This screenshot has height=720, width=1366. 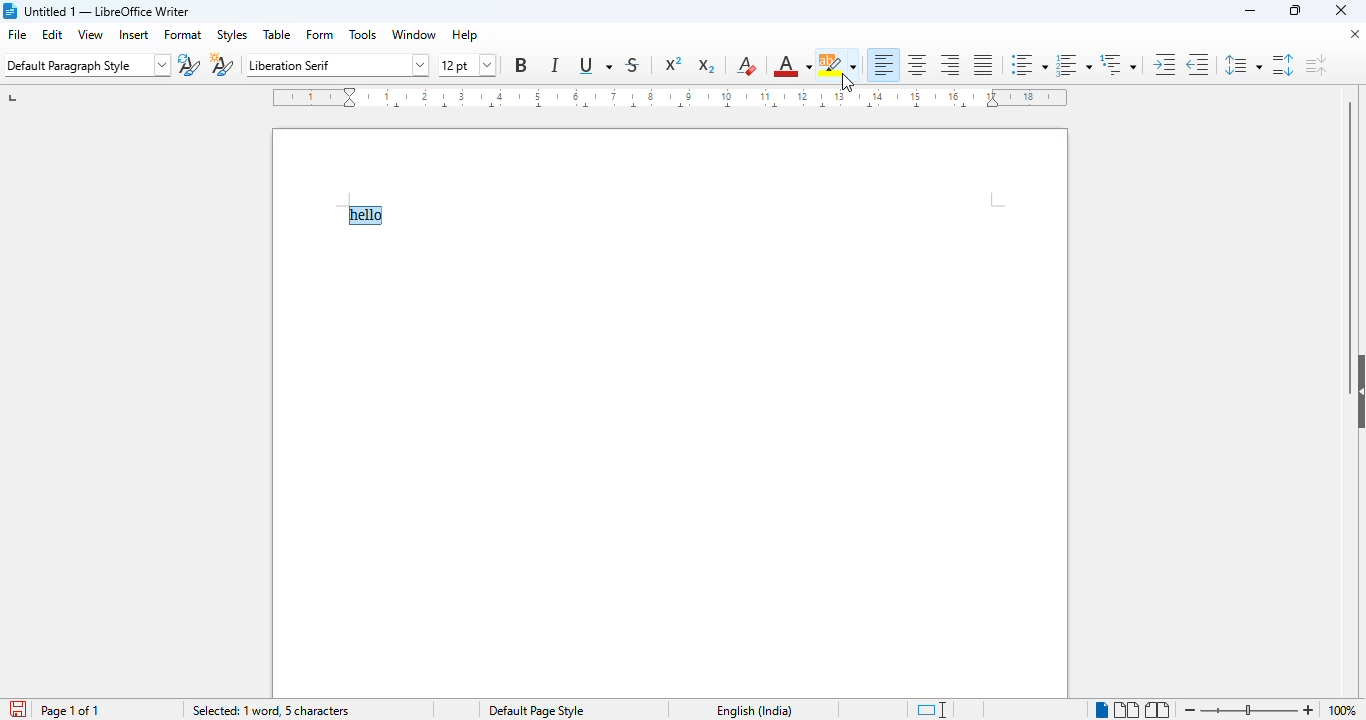 I want to click on default page style, so click(x=528, y=711).